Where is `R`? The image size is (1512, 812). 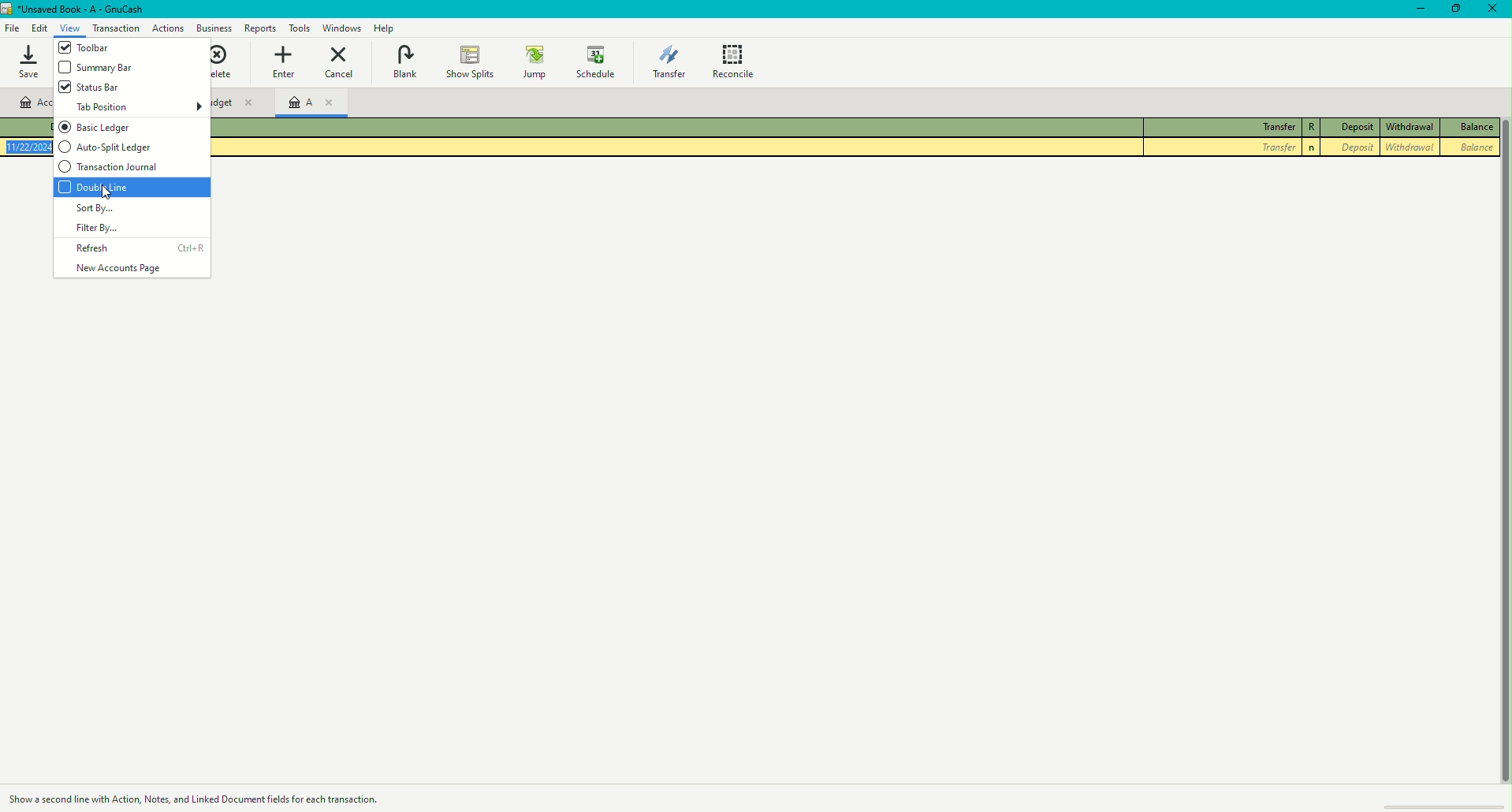
R is located at coordinates (1309, 127).